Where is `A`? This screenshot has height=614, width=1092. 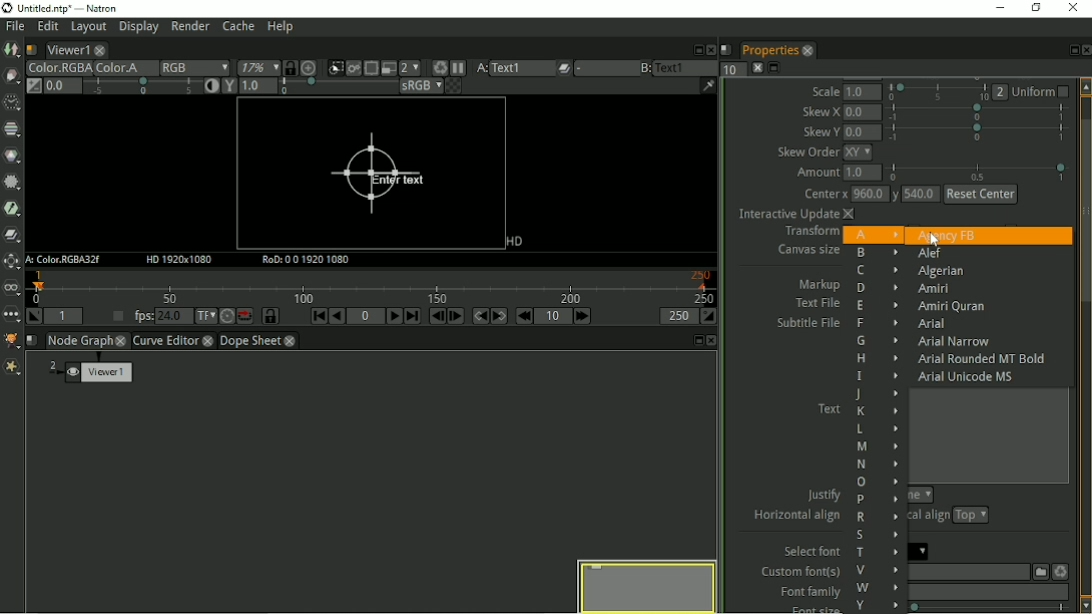 A is located at coordinates (872, 234).